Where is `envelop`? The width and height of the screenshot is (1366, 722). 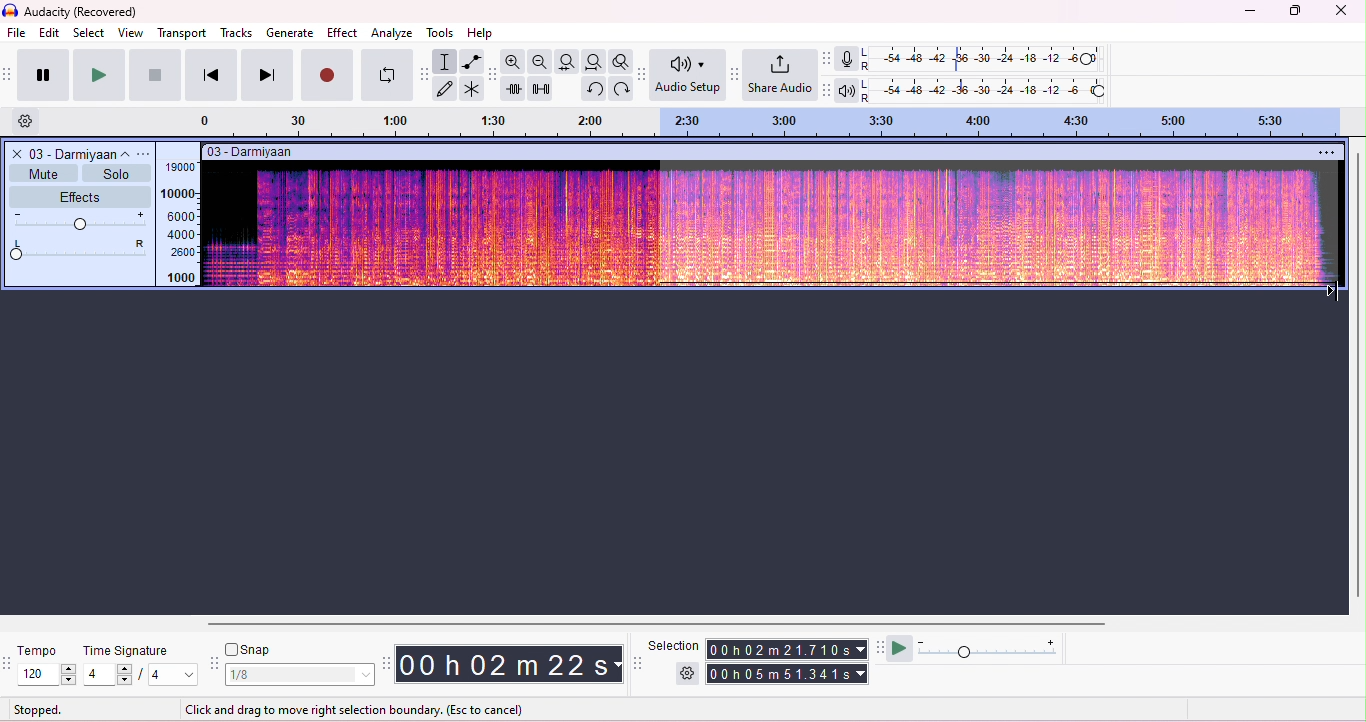
envelop is located at coordinates (470, 61).